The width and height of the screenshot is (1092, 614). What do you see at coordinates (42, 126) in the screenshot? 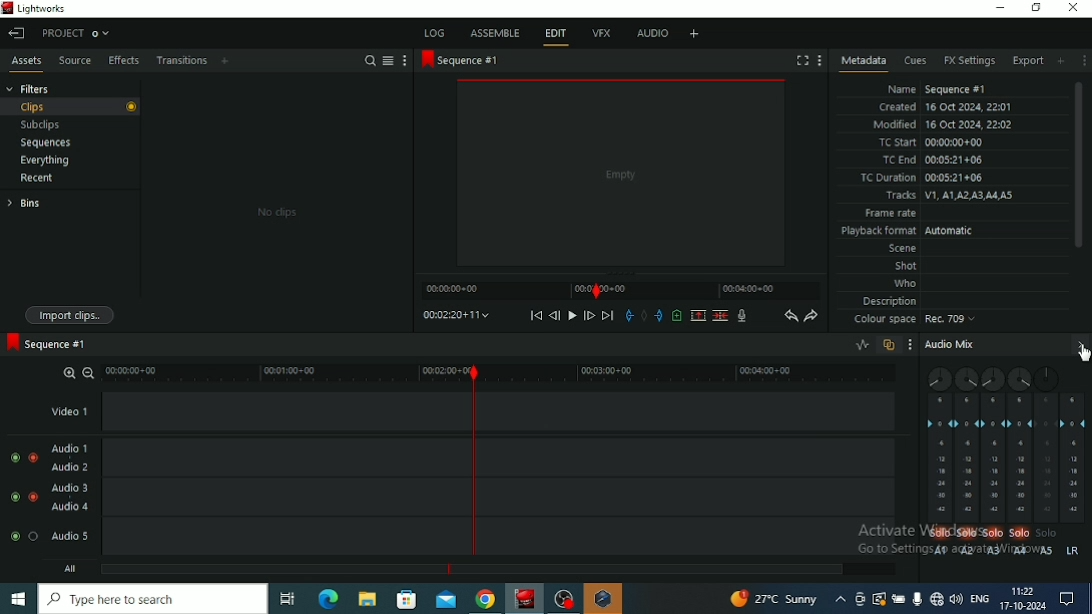
I see `Subclips` at bounding box center [42, 126].